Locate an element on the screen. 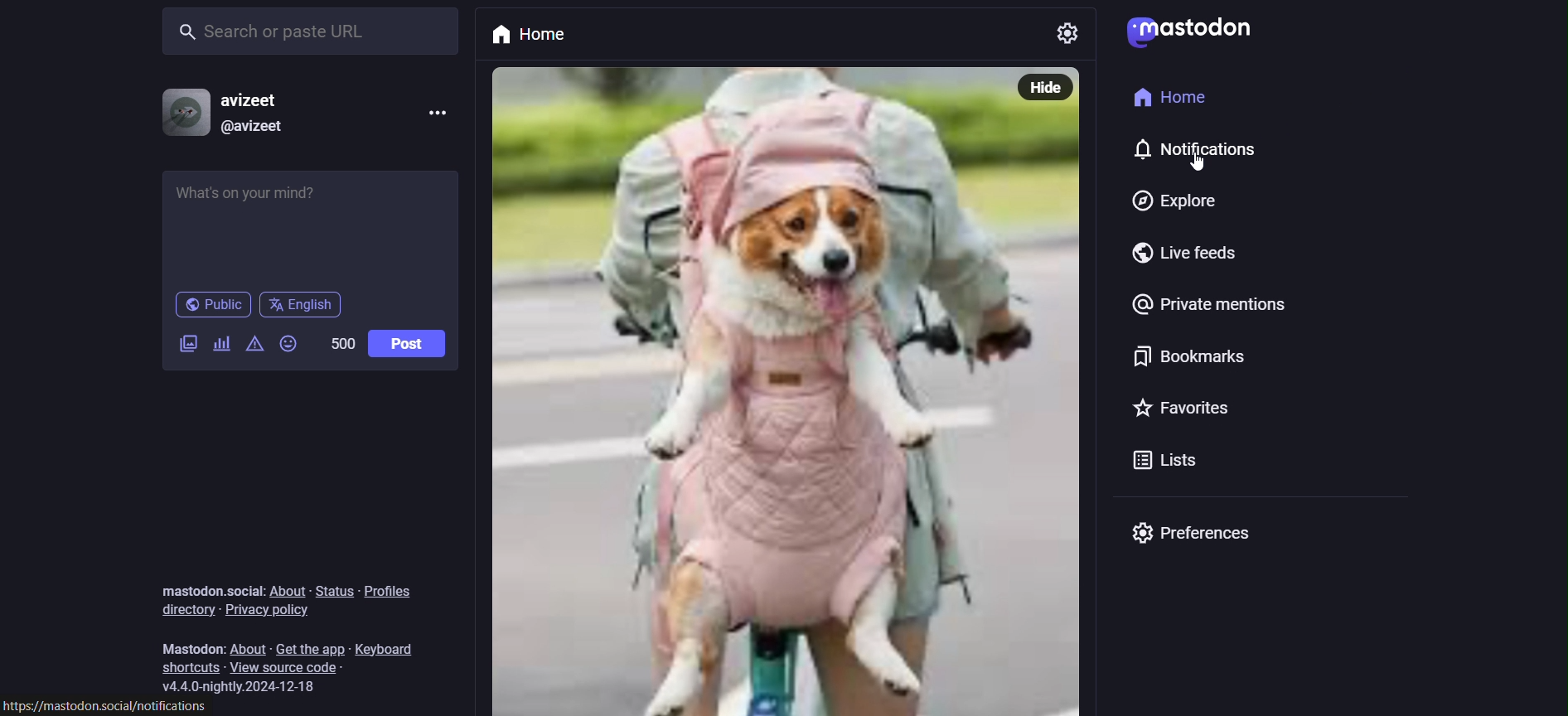 The image size is (1568, 716). profiles is located at coordinates (397, 588).